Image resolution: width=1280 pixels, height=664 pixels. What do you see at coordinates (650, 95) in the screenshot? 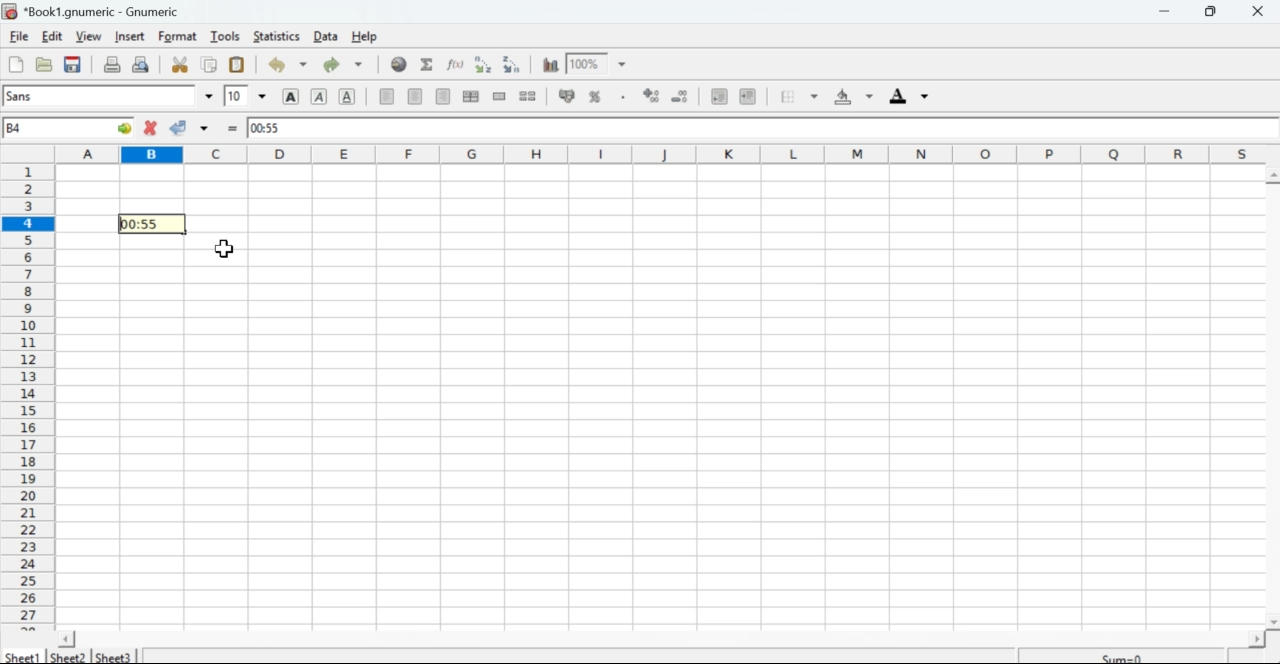
I see `Icon` at bounding box center [650, 95].